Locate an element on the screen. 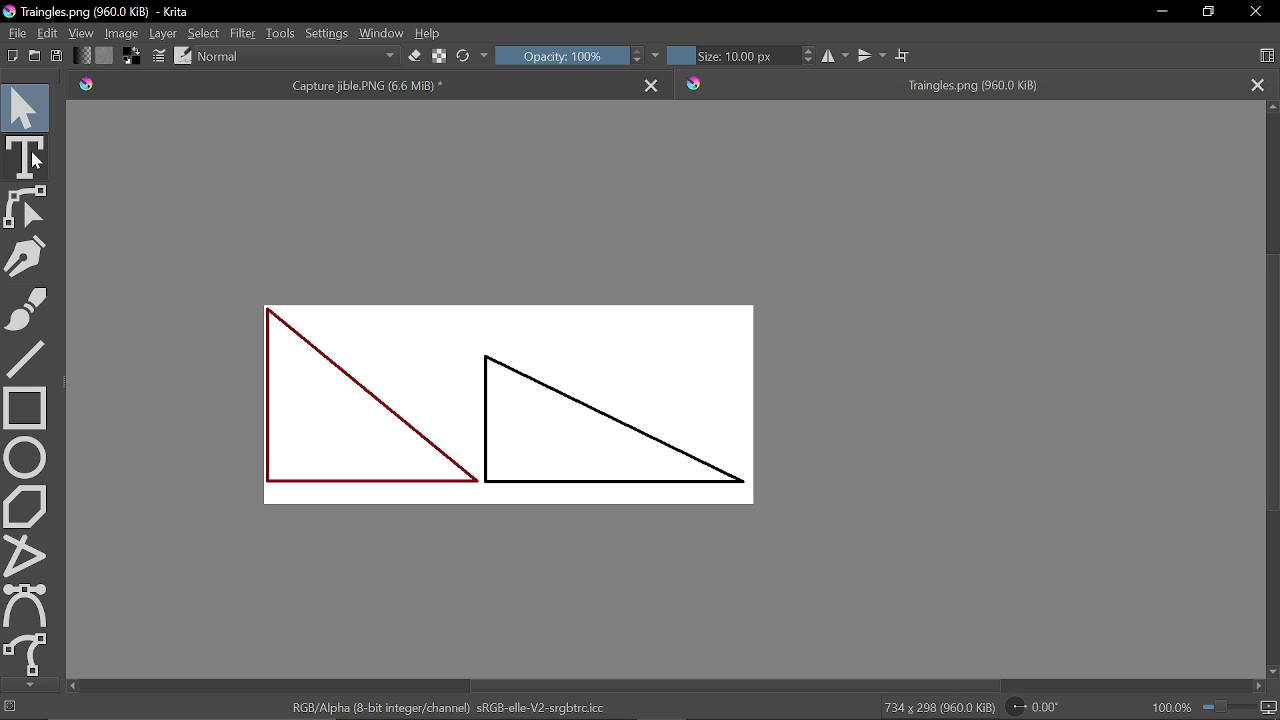 Image resolution: width=1280 pixels, height=720 pixels. Move down is located at coordinates (1272, 672).